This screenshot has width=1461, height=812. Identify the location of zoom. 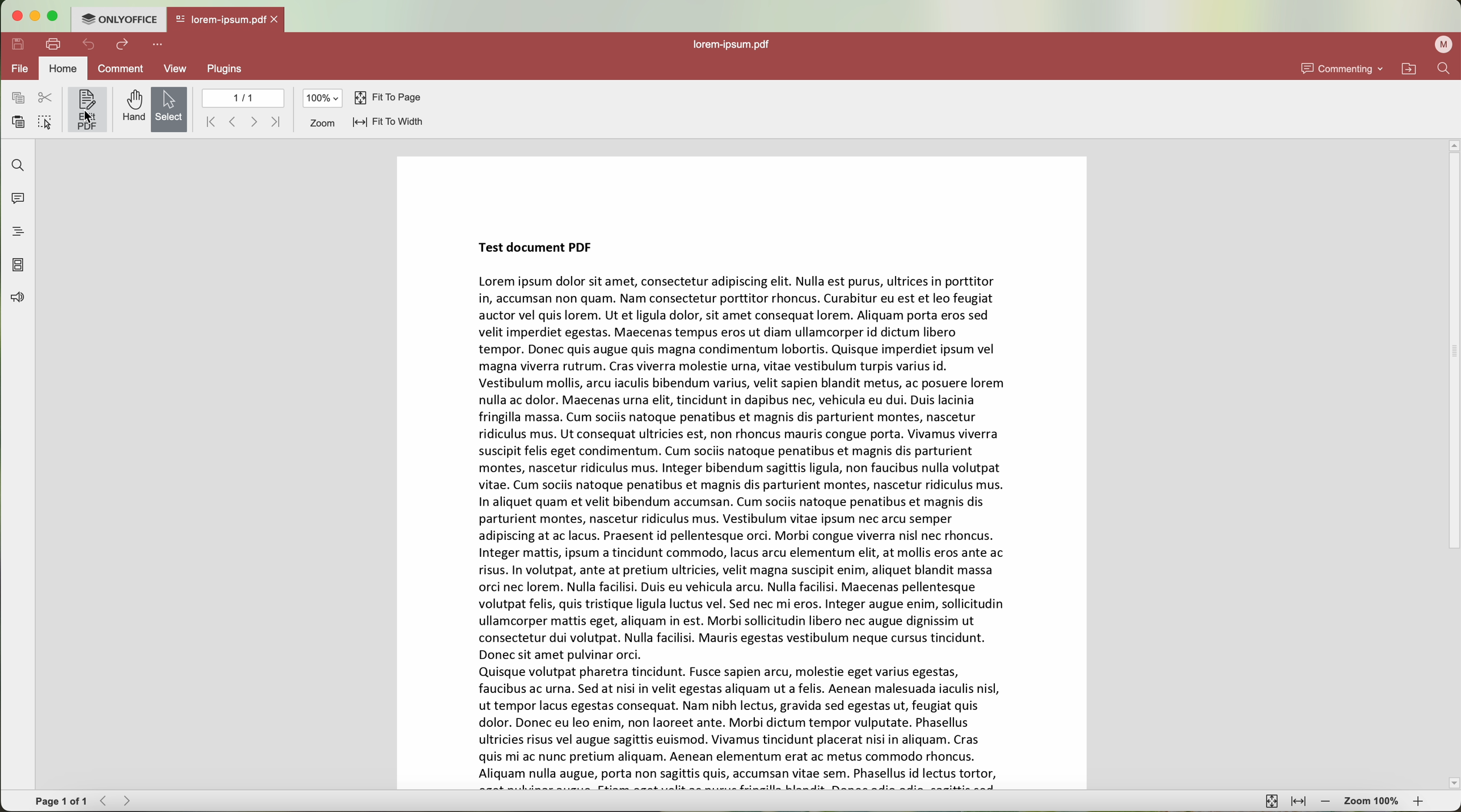
(319, 124).